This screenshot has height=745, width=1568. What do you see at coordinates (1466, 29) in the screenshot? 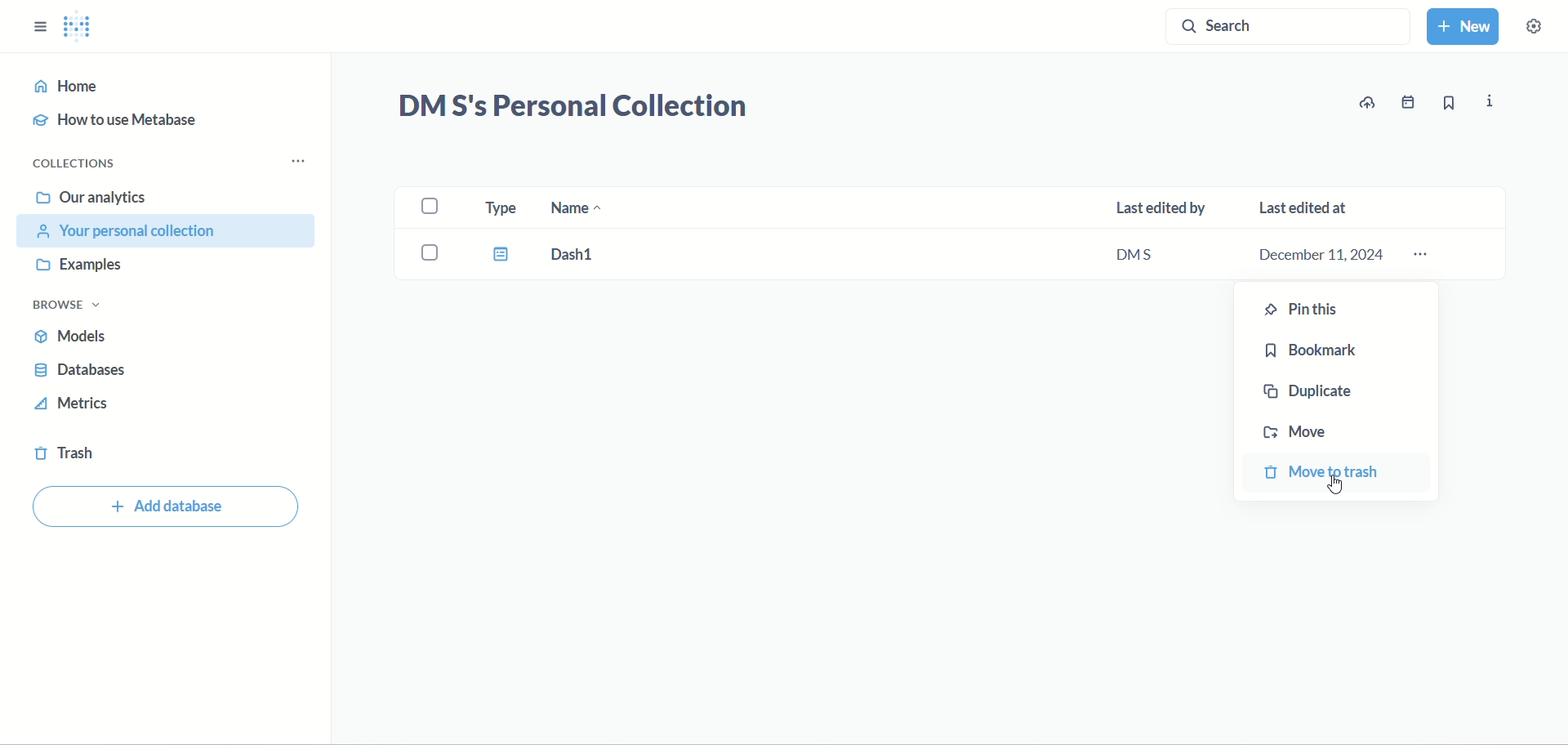
I see `new` at bounding box center [1466, 29].